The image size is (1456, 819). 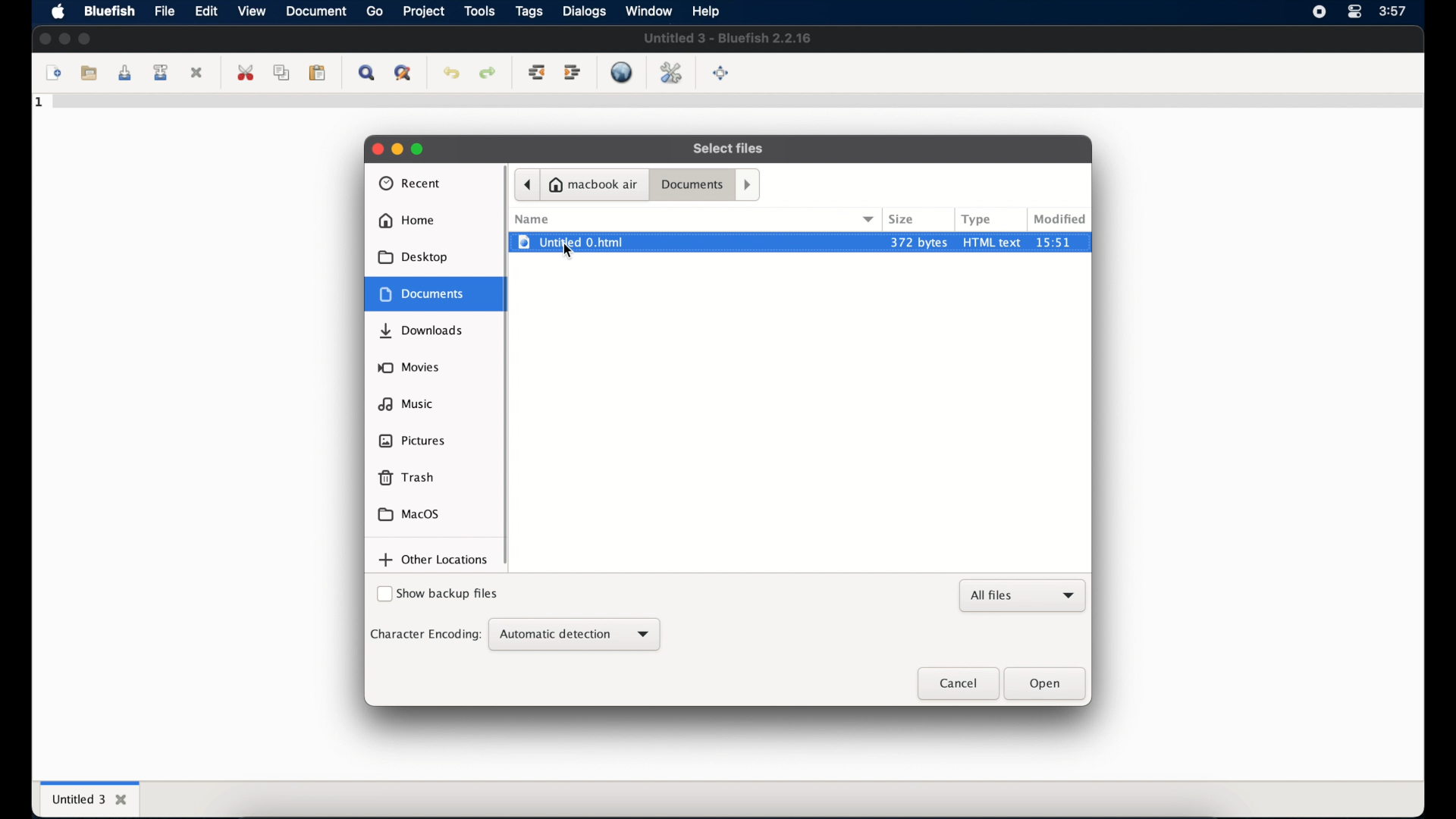 What do you see at coordinates (451, 74) in the screenshot?
I see `undo ` at bounding box center [451, 74].